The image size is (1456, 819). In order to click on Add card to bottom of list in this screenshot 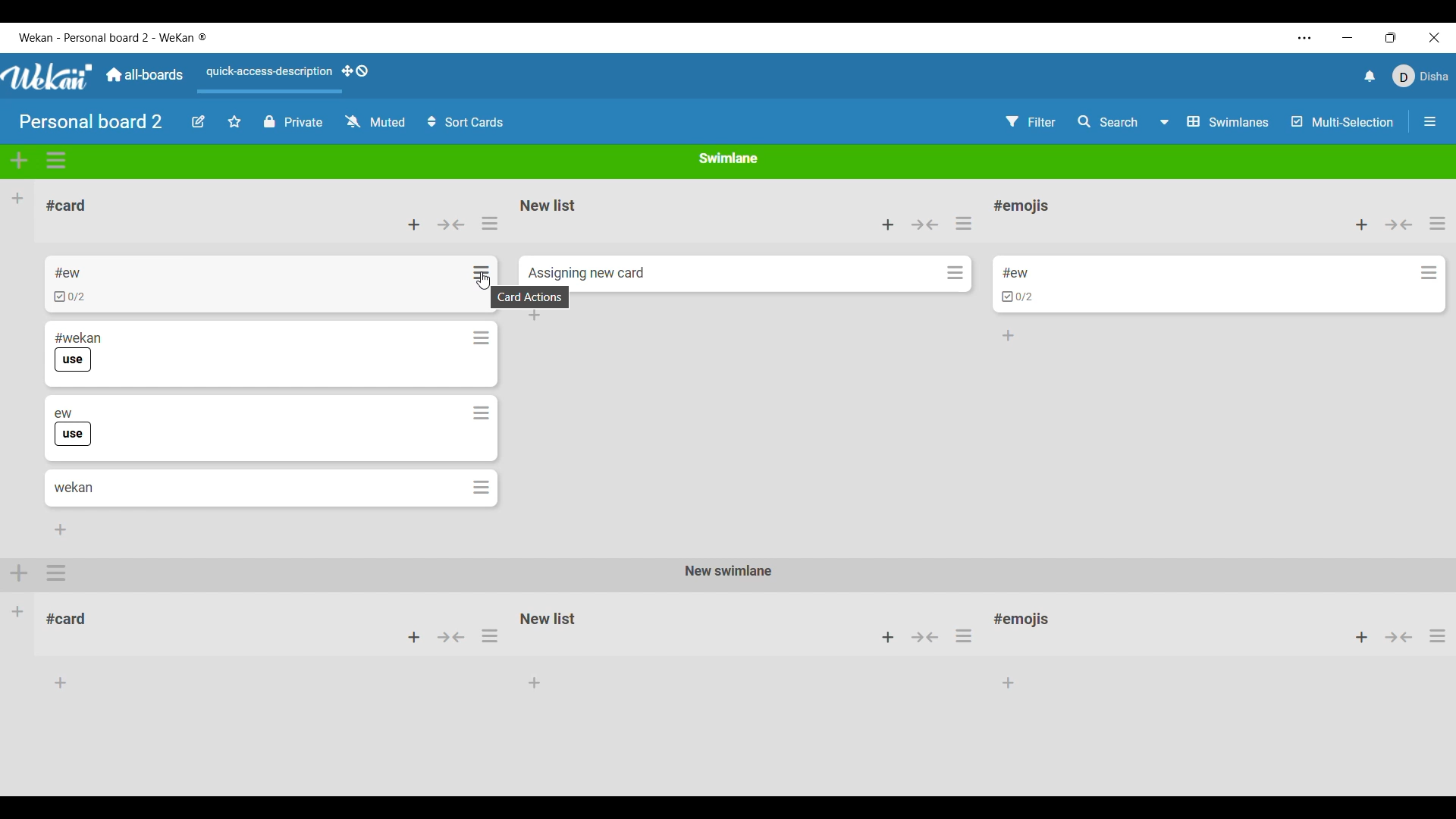, I will do `click(1009, 336)`.